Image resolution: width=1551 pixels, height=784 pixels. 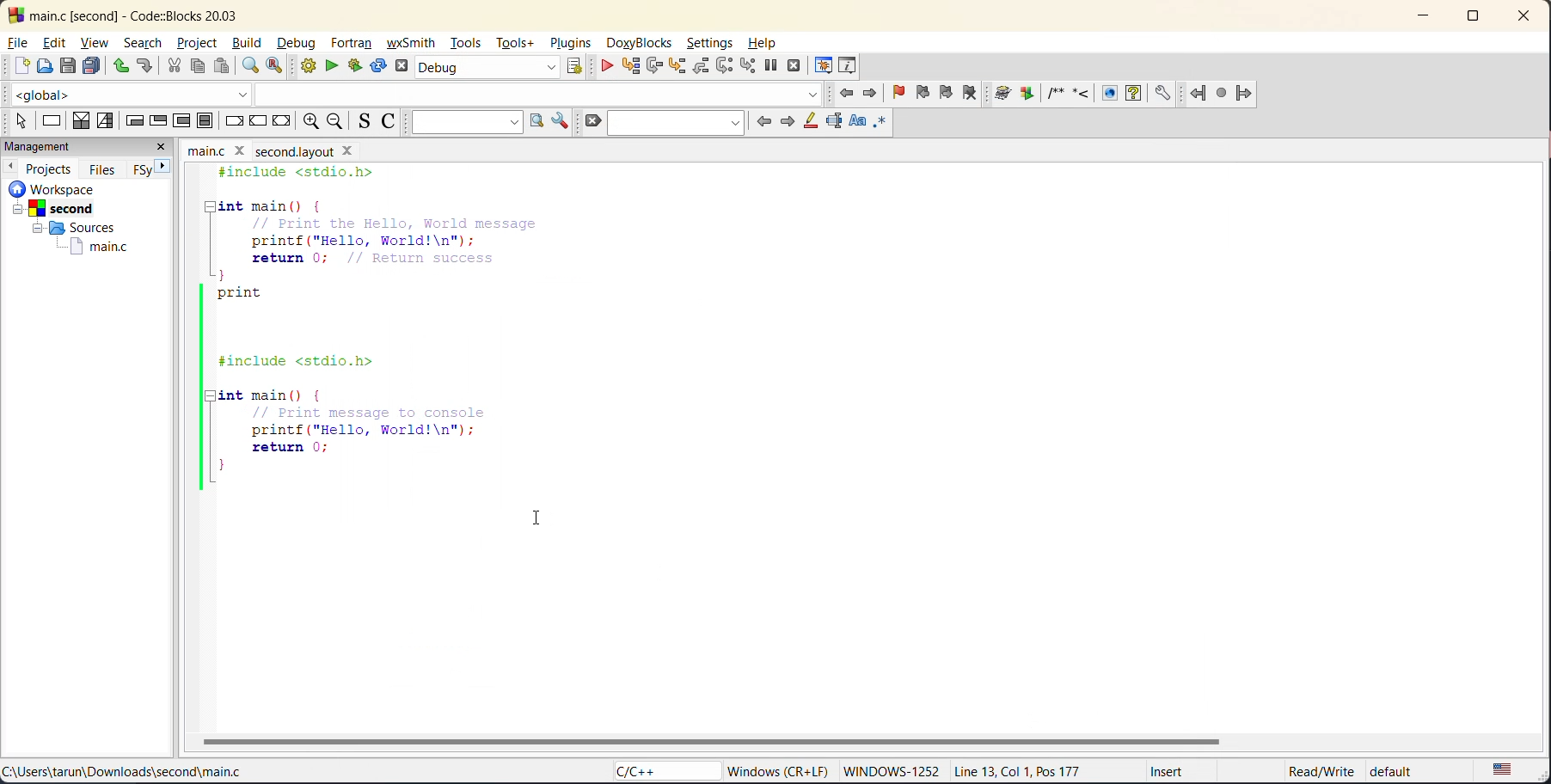 What do you see at coordinates (1161, 774) in the screenshot?
I see `Insert` at bounding box center [1161, 774].